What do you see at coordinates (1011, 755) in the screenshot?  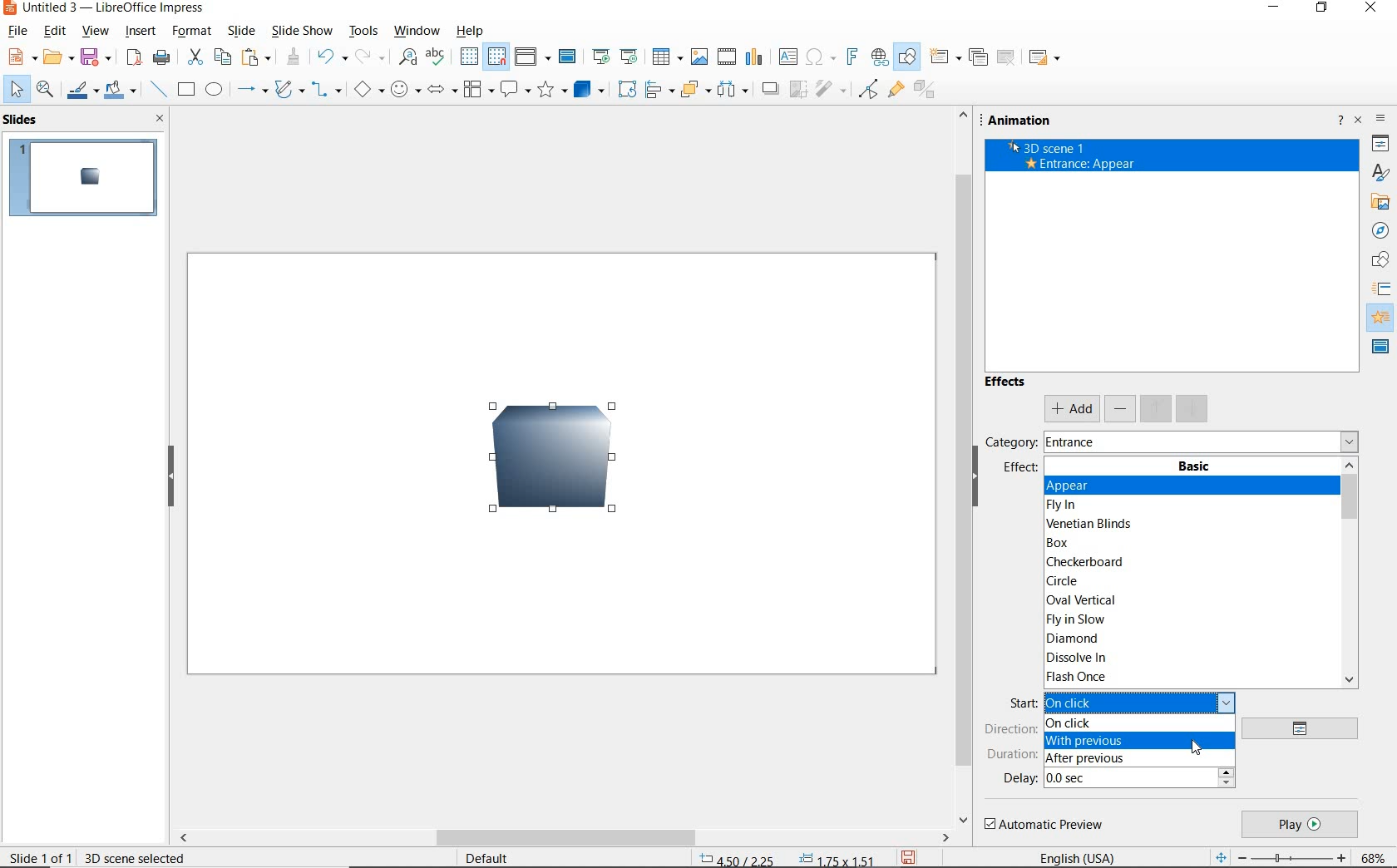 I see `duration` at bounding box center [1011, 755].